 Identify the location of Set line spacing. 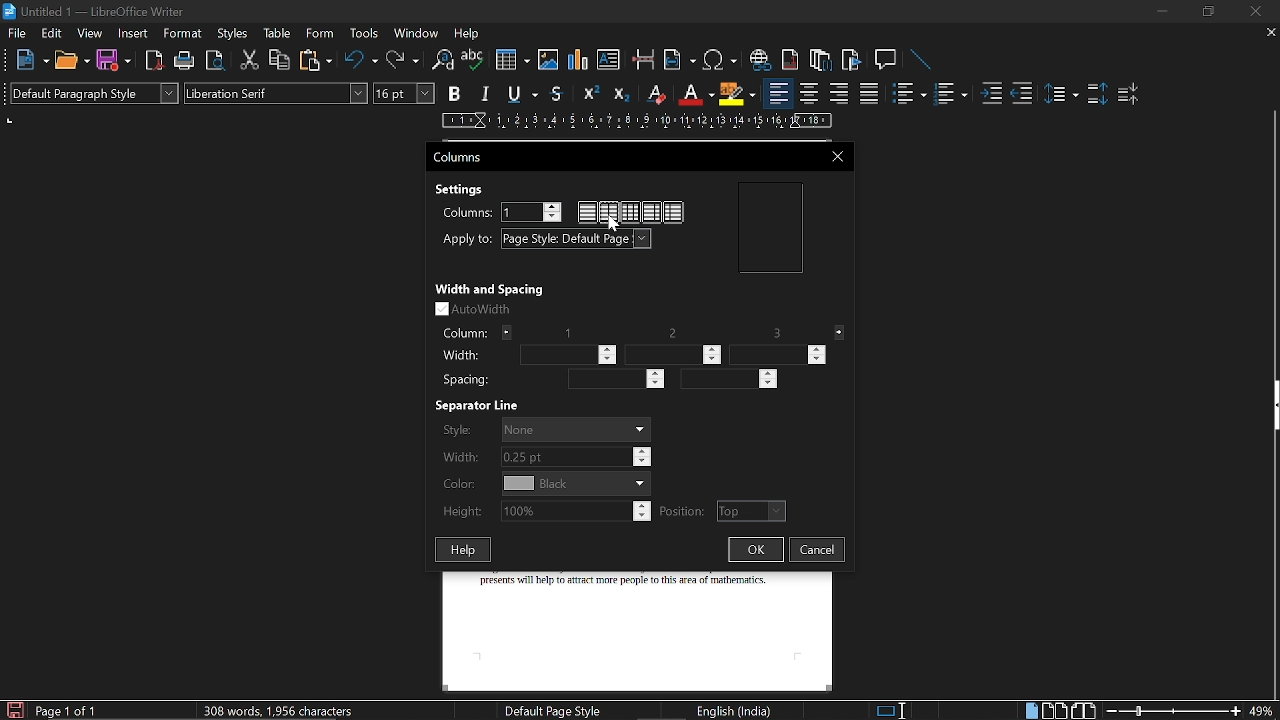
(1061, 94).